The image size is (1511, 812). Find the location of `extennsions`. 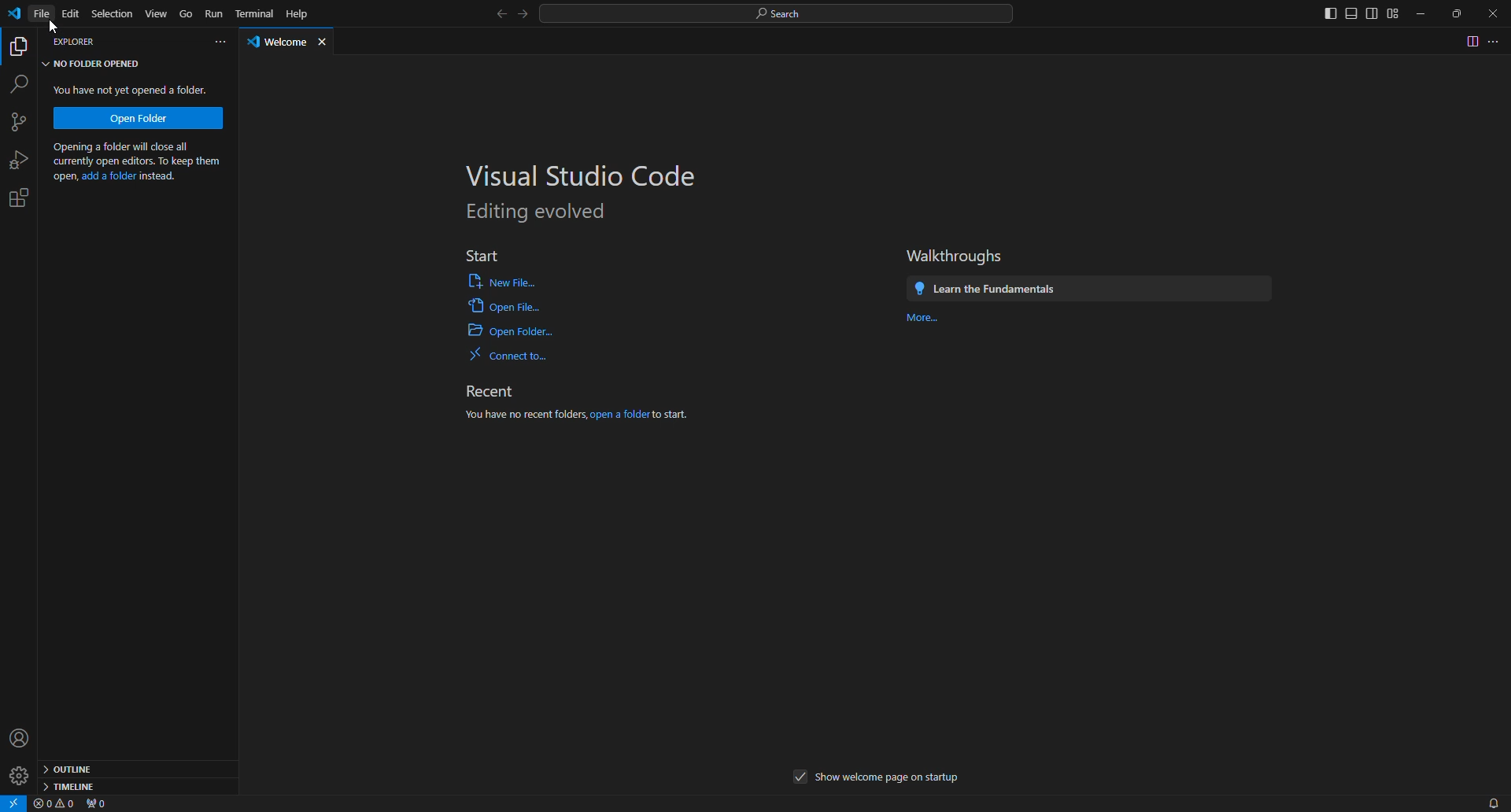

extennsions is located at coordinates (24, 197).